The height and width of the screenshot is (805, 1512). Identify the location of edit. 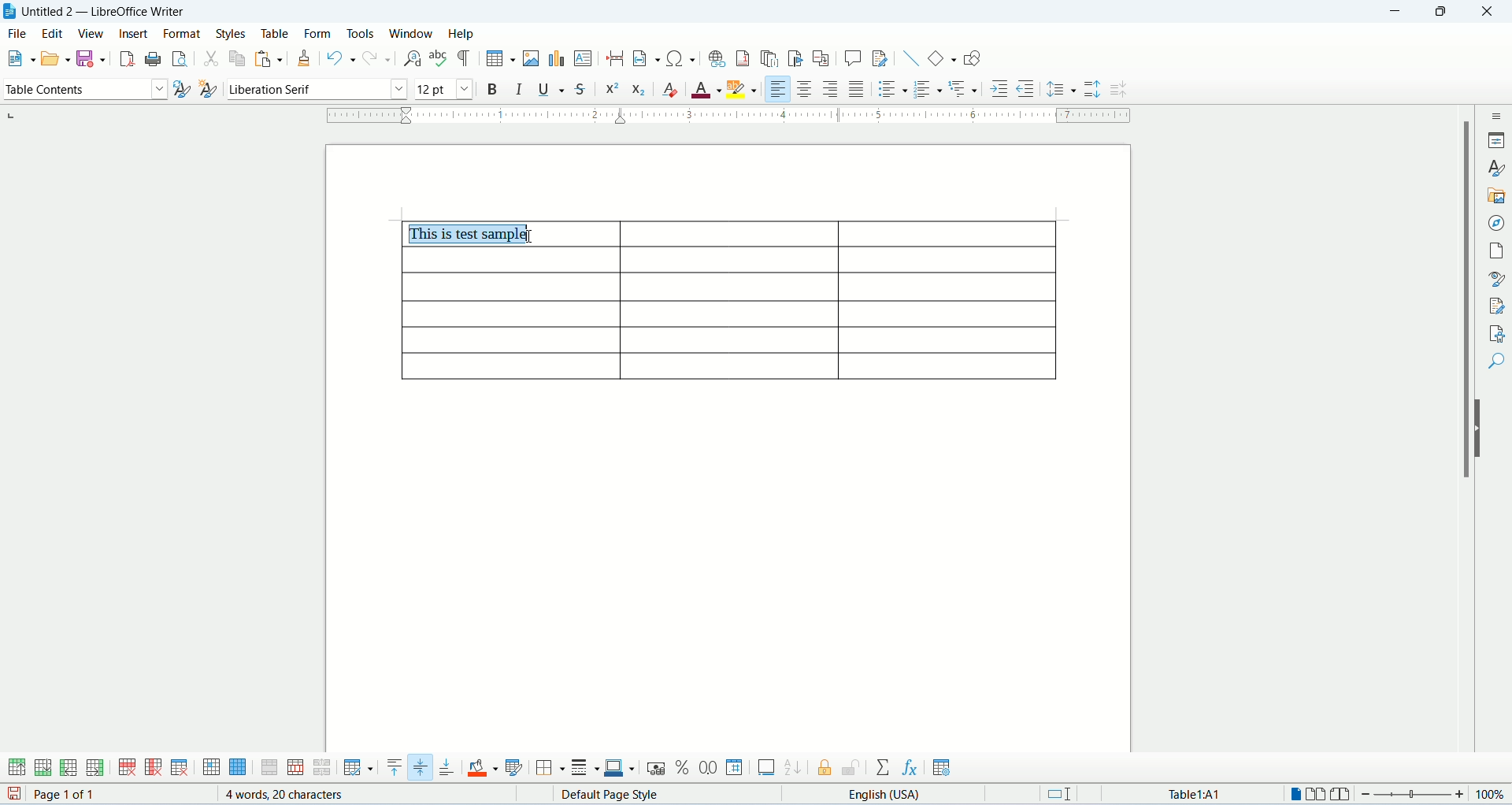
(54, 33).